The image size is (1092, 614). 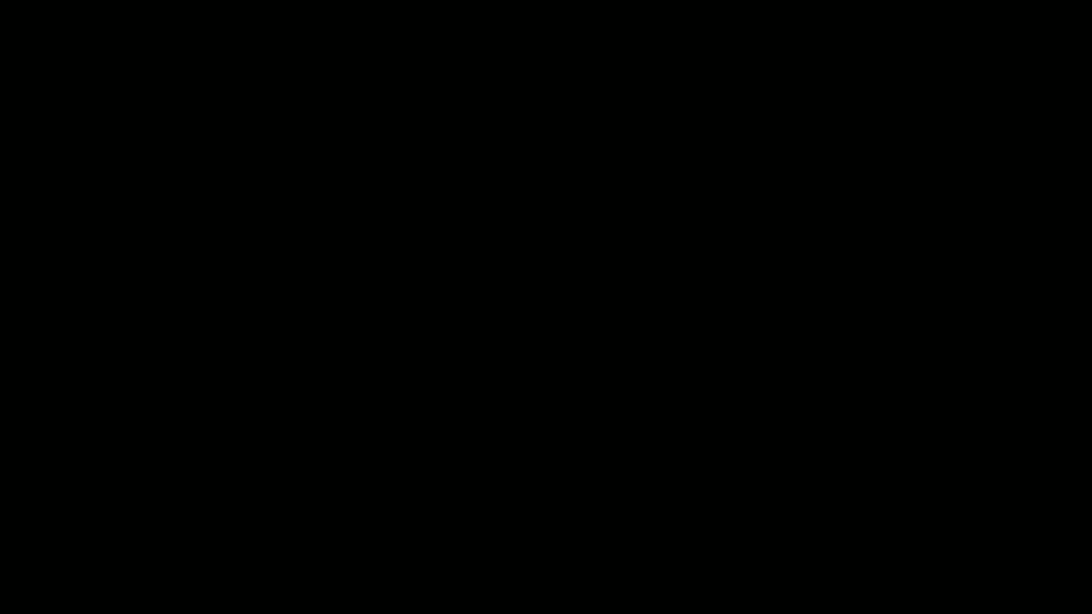 What do you see at coordinates (546, 305) in the screenshot?
I see `New scene added` at bounding box center [546, 305].